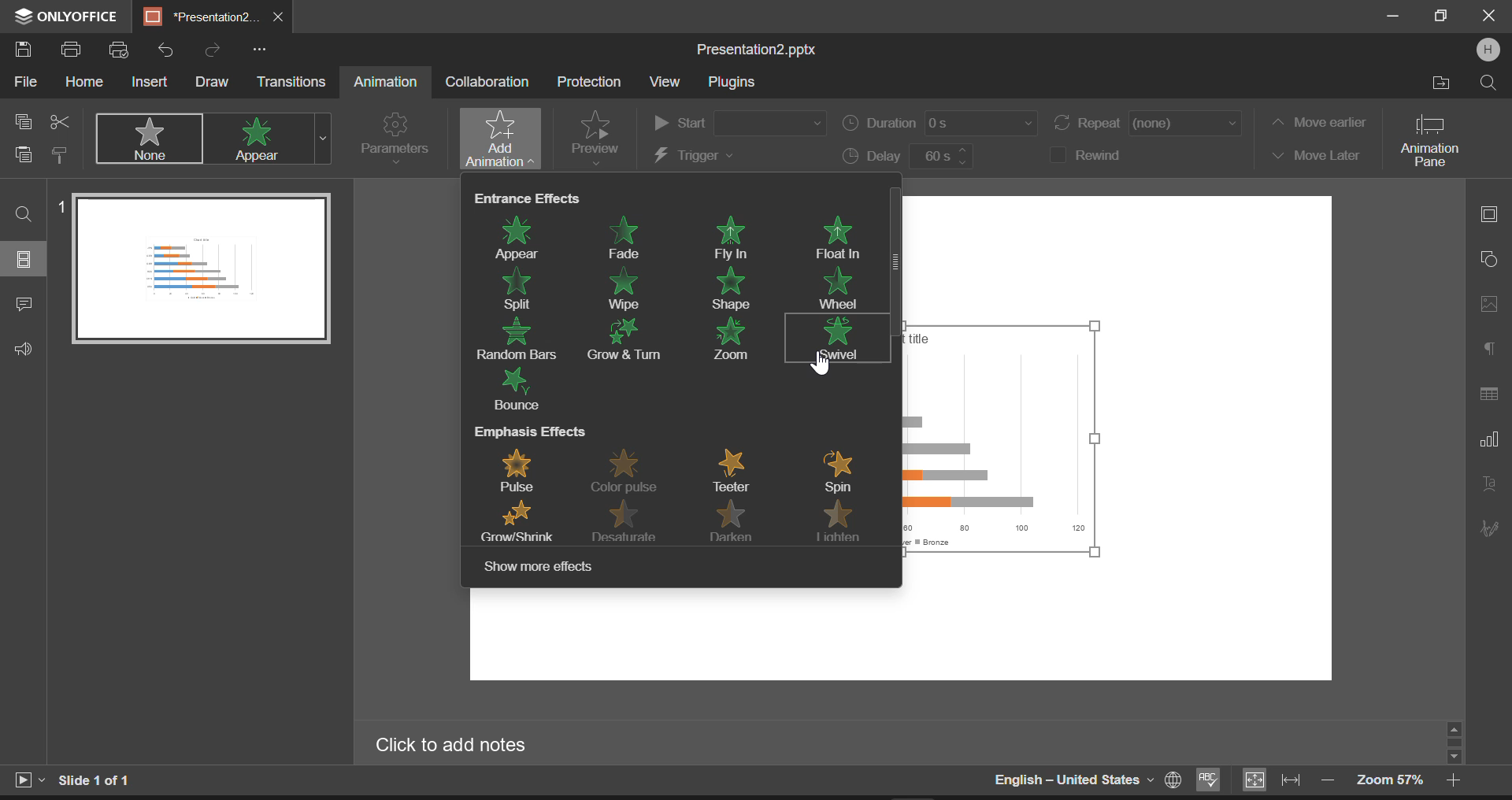  Describe the element at coordinates (323, 139) in the screenshot. I see `Effects Menu` at that location.